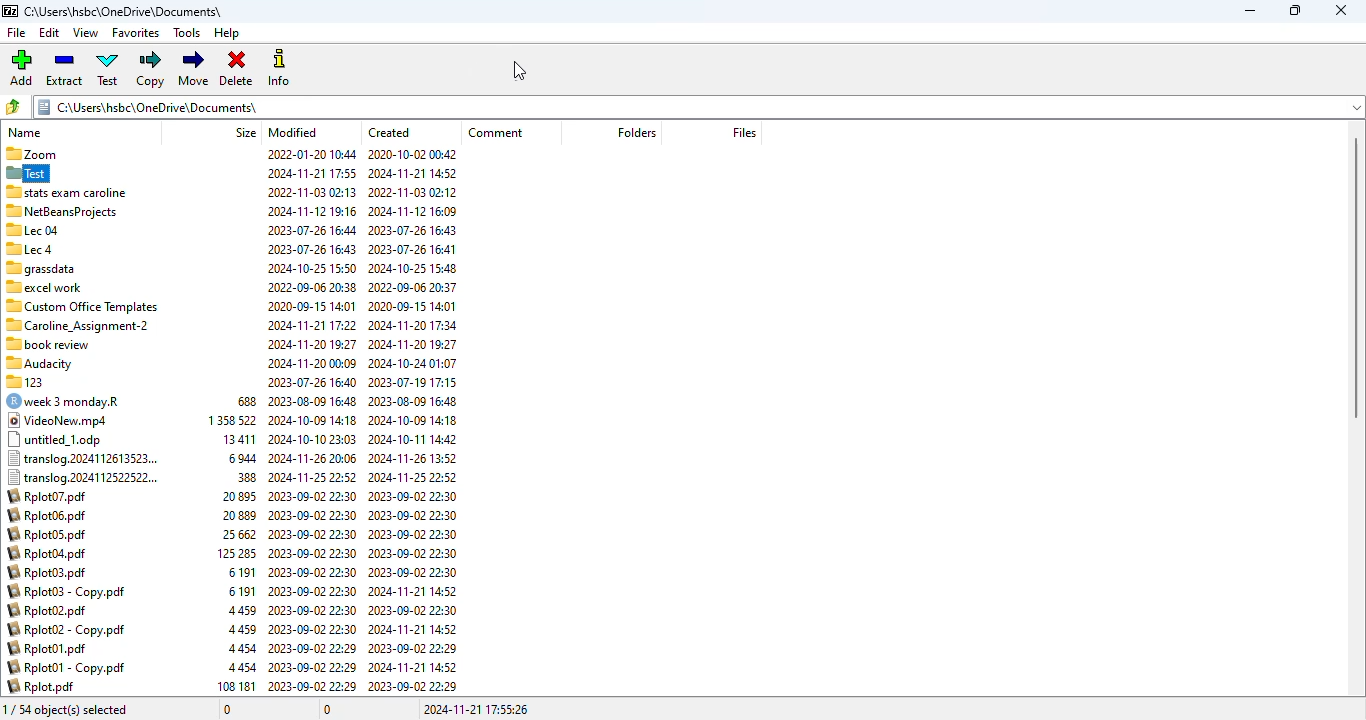 The image size is (1366, 720). Describe the element at coordinates (54, 440) in the screenshot. I see `untitled_1.odp` at that location.